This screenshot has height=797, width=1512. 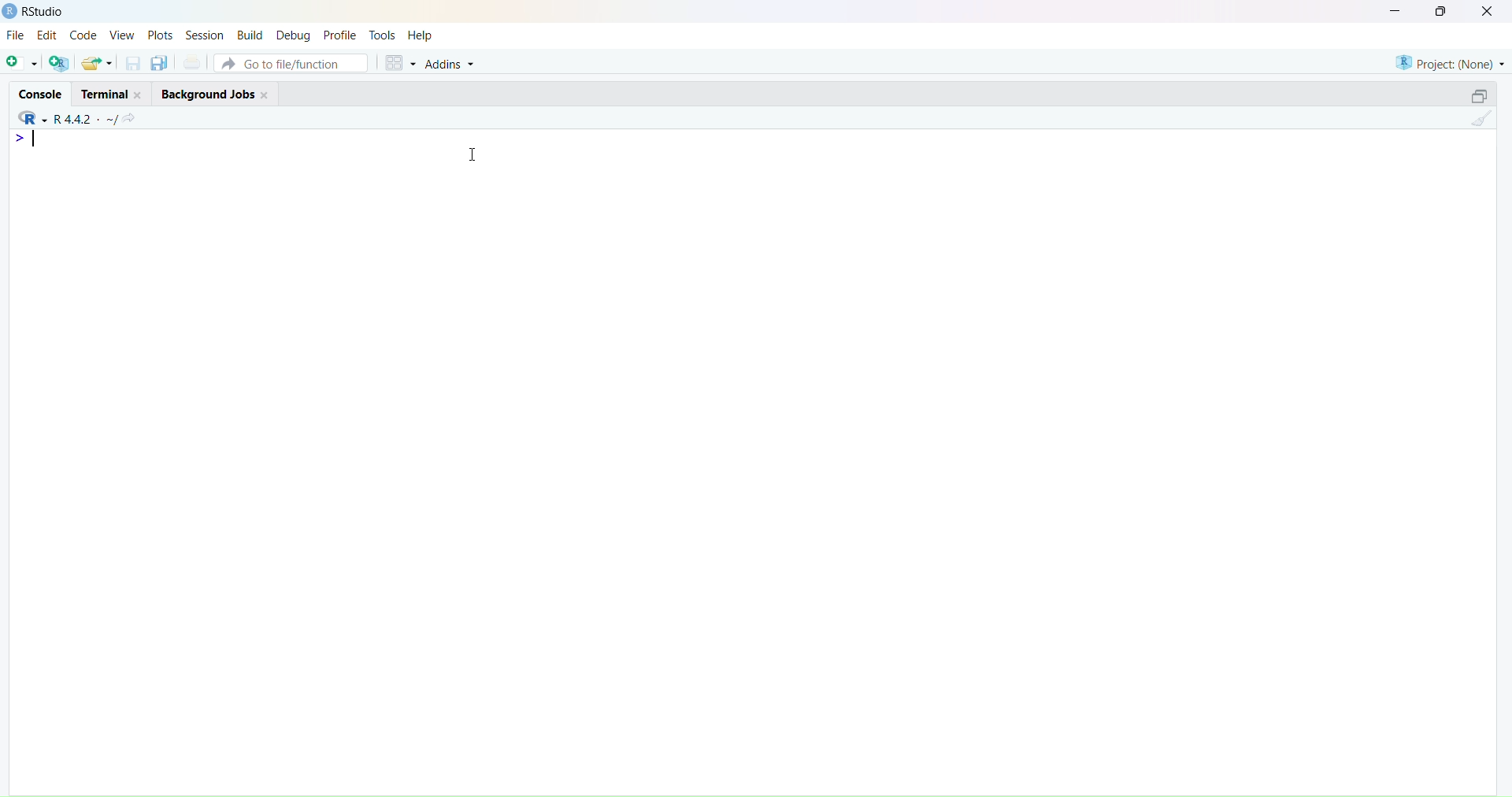 I want to click on profile, so click(x=340, y=36).